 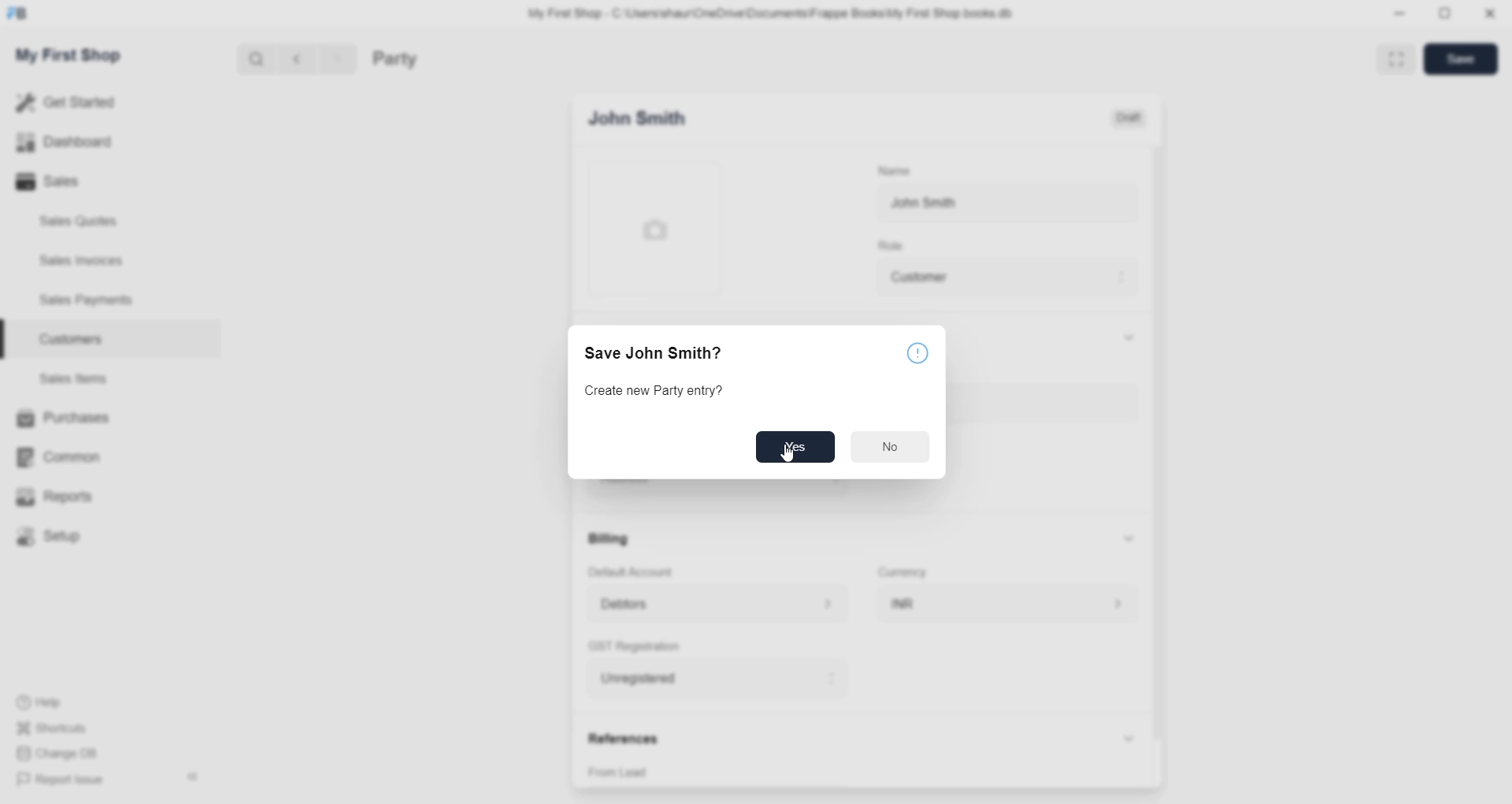 I want to click on confirmation logo, so click(x=921, y=351).